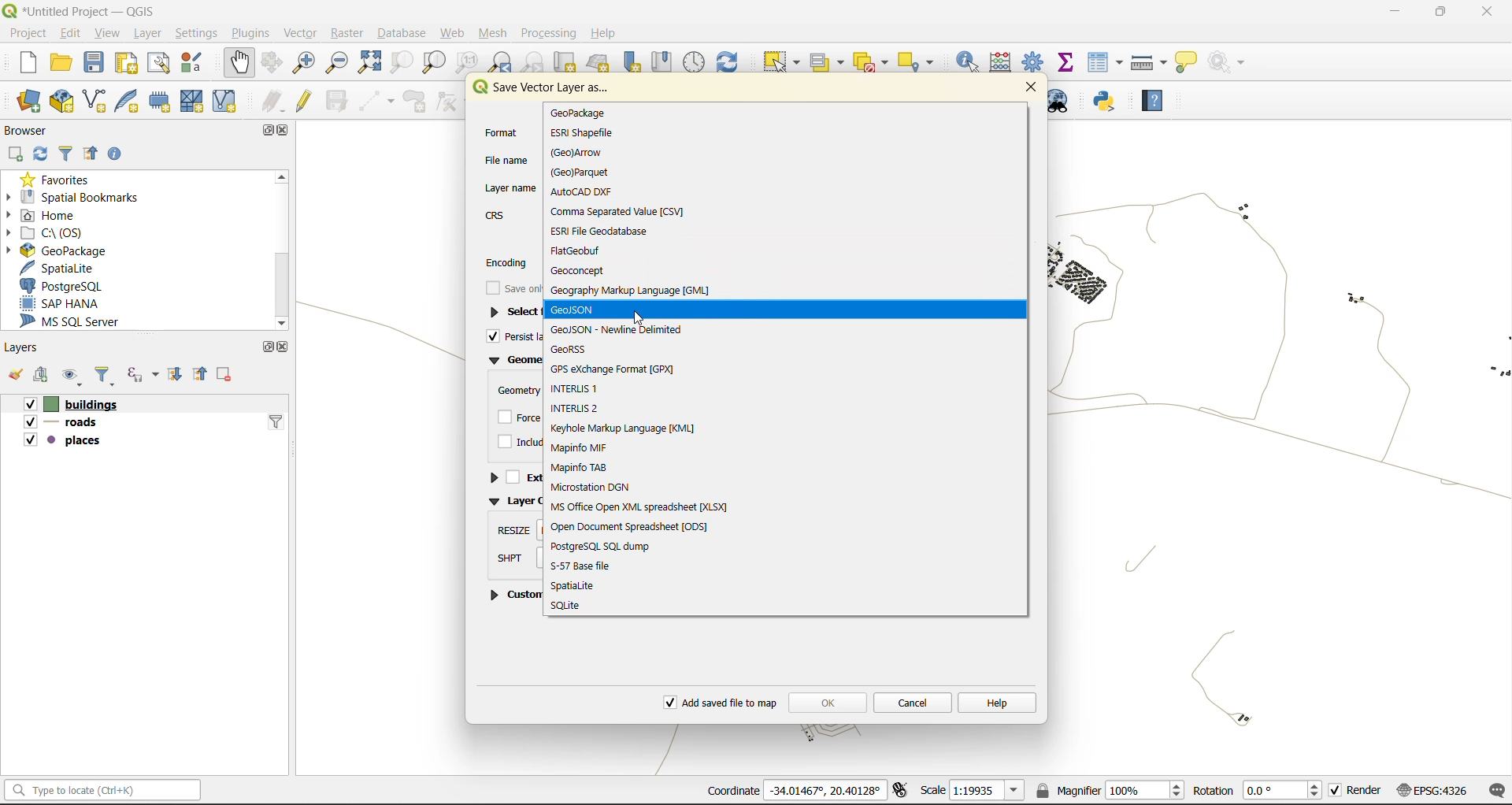 Image resolution: width=1512 pixels, height=805 pixels. I want to click on attributes table, so click(1105, 64).